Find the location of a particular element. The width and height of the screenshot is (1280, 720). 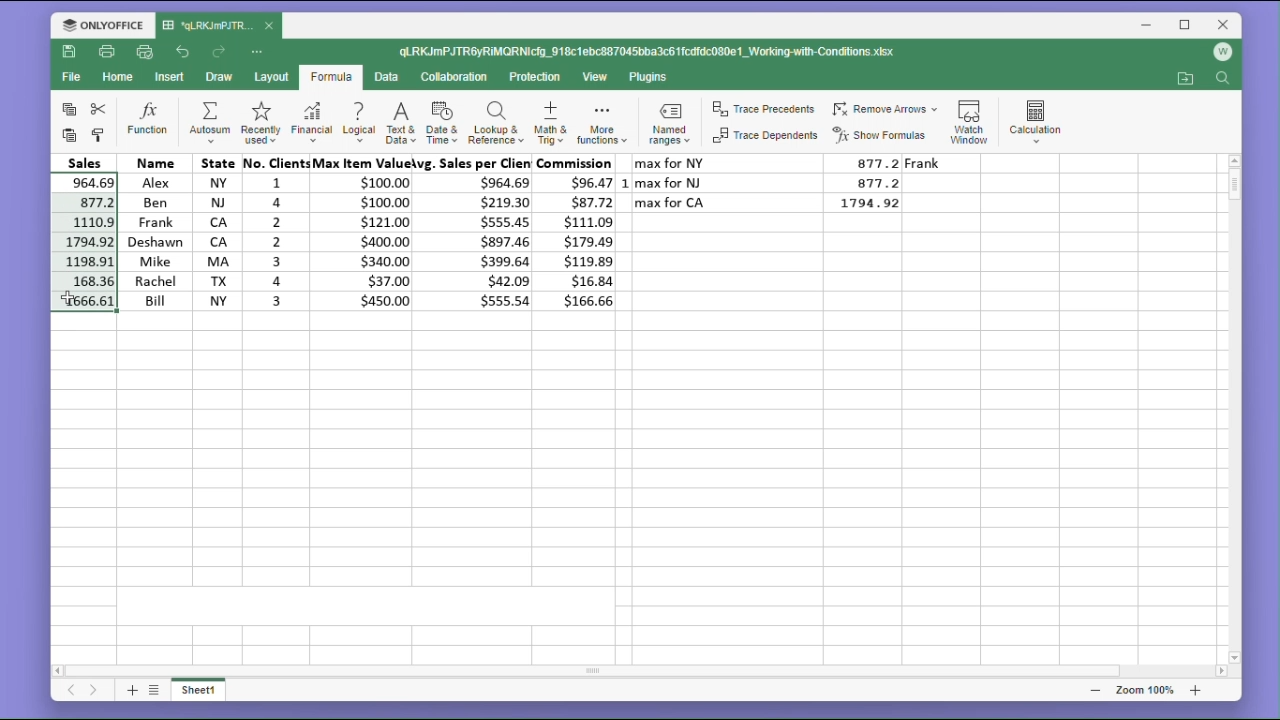

scroll left is located at coordinates (59, 668).